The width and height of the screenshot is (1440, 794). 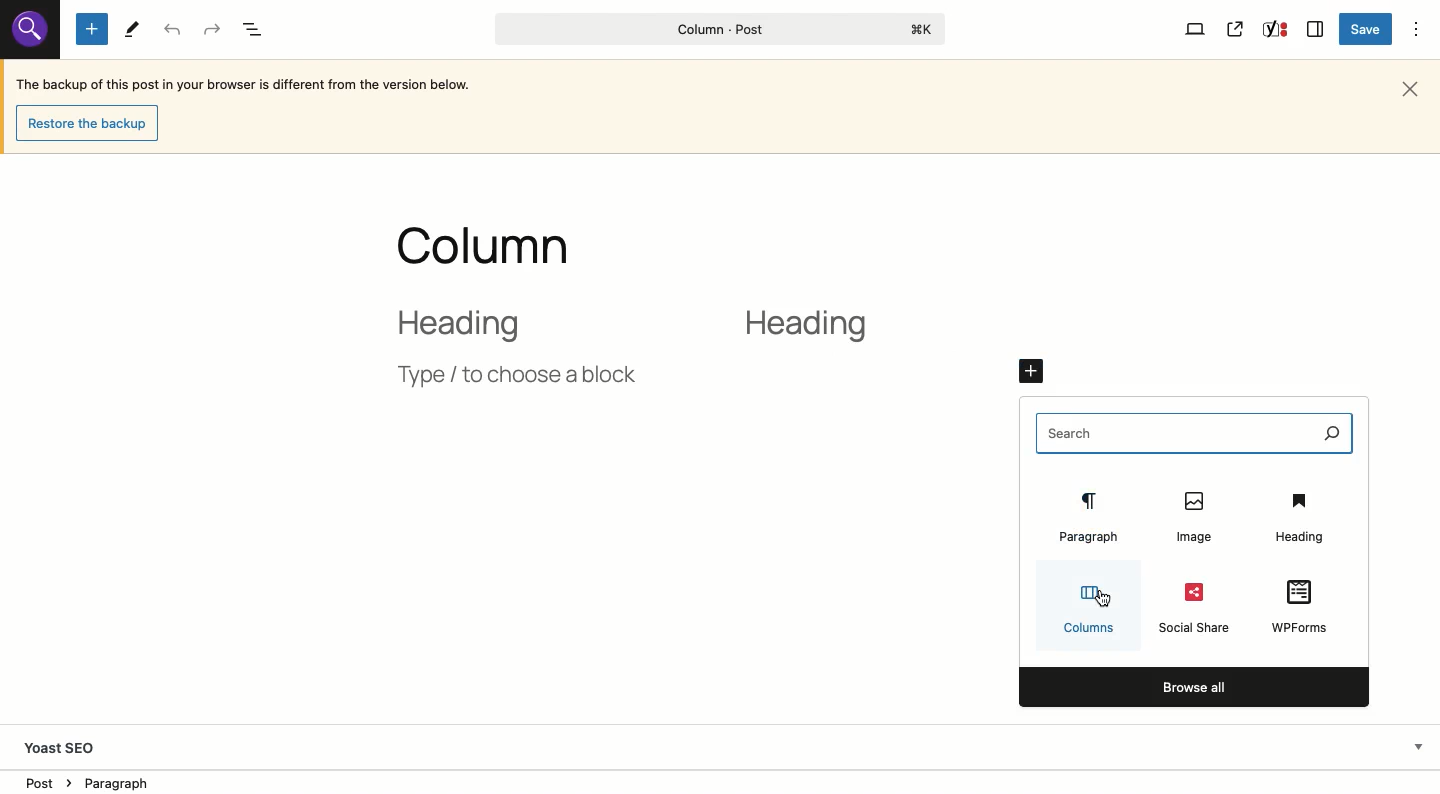 What do you see at coordinates (28, 24) in the screenshot?
I see `search` at bounding box center [28, 24].